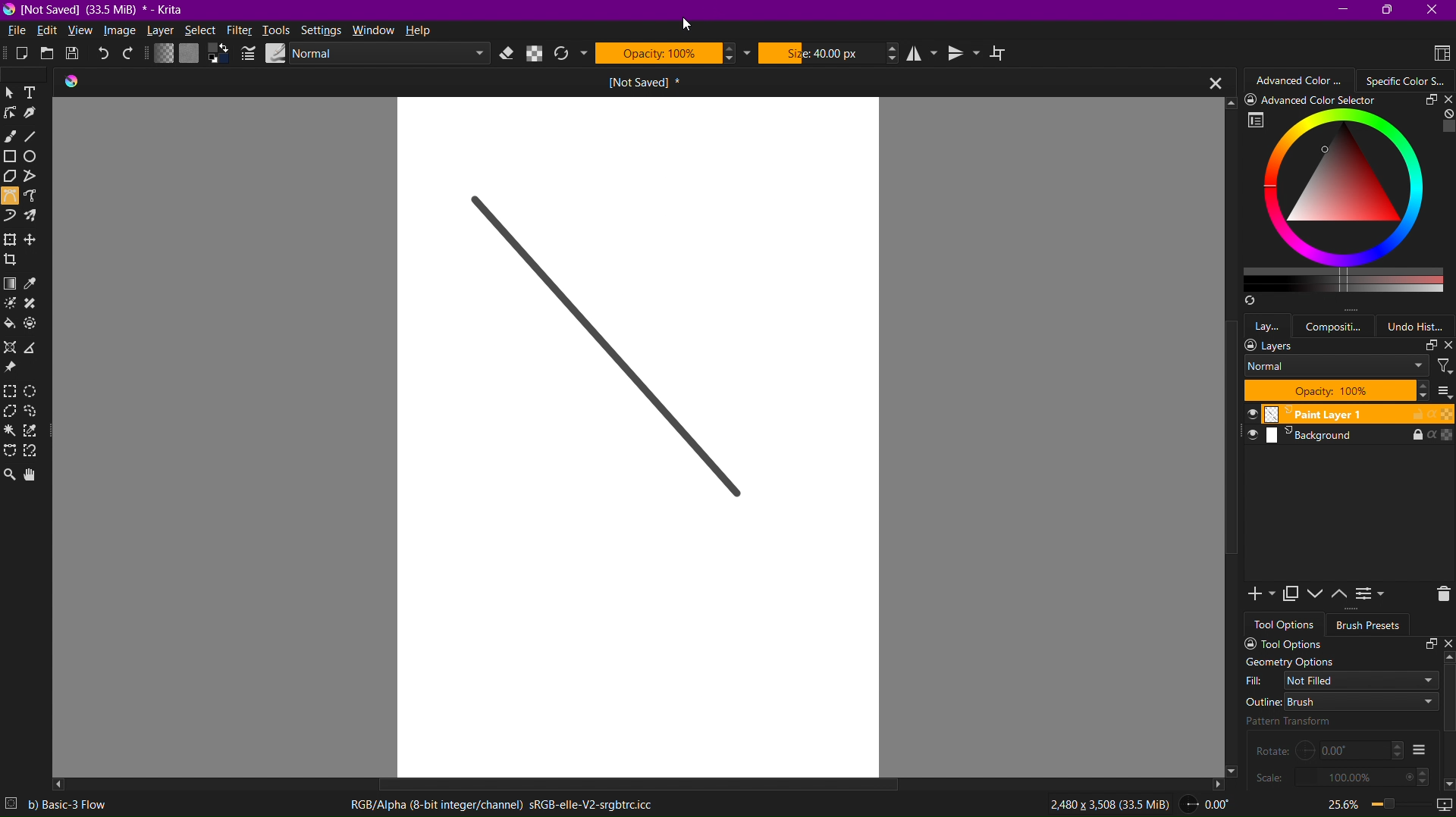  I want to click on Set Eraser Mode, so click(508, 54).